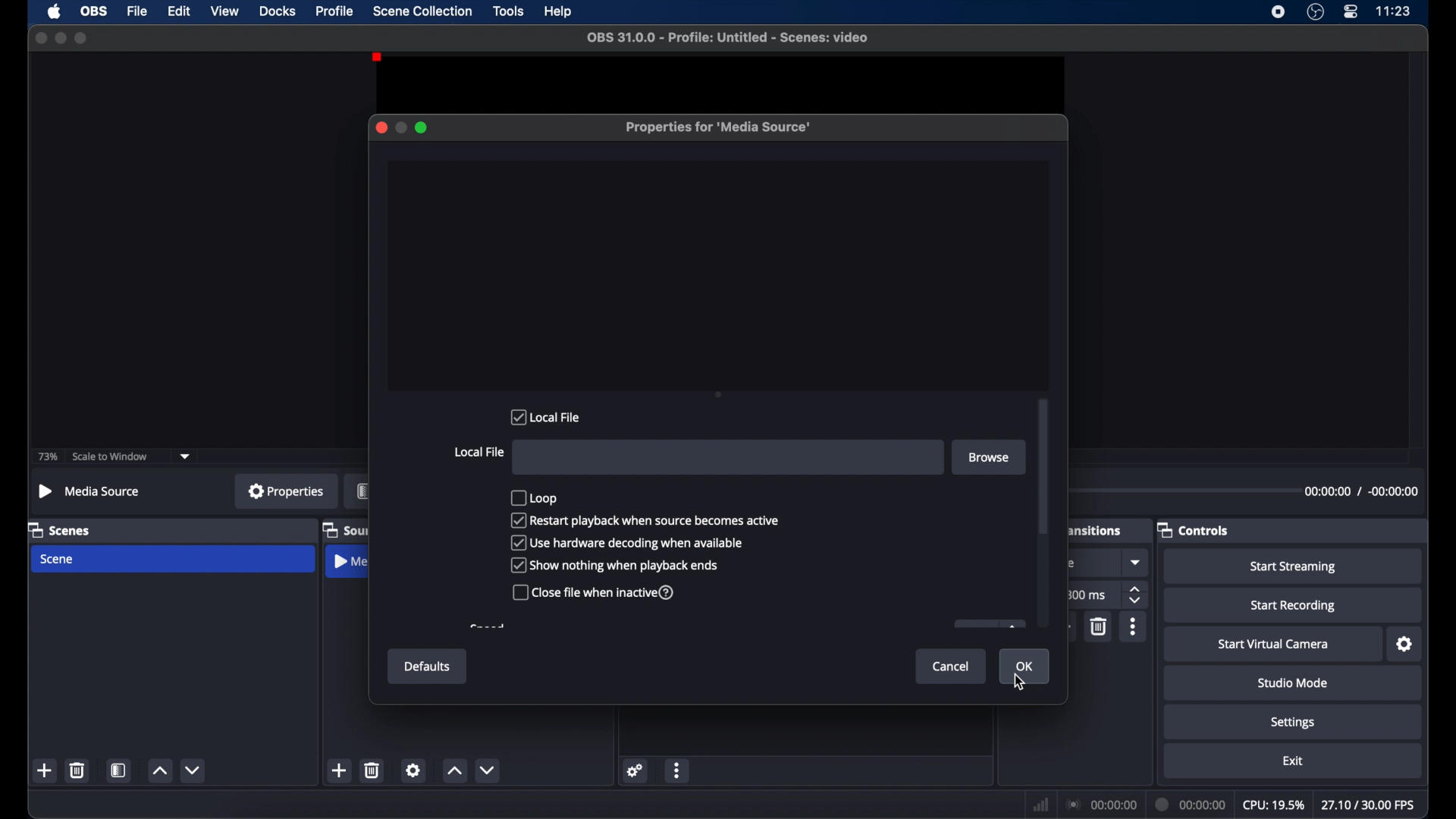  I want to click on settings, so click(1406, 645).